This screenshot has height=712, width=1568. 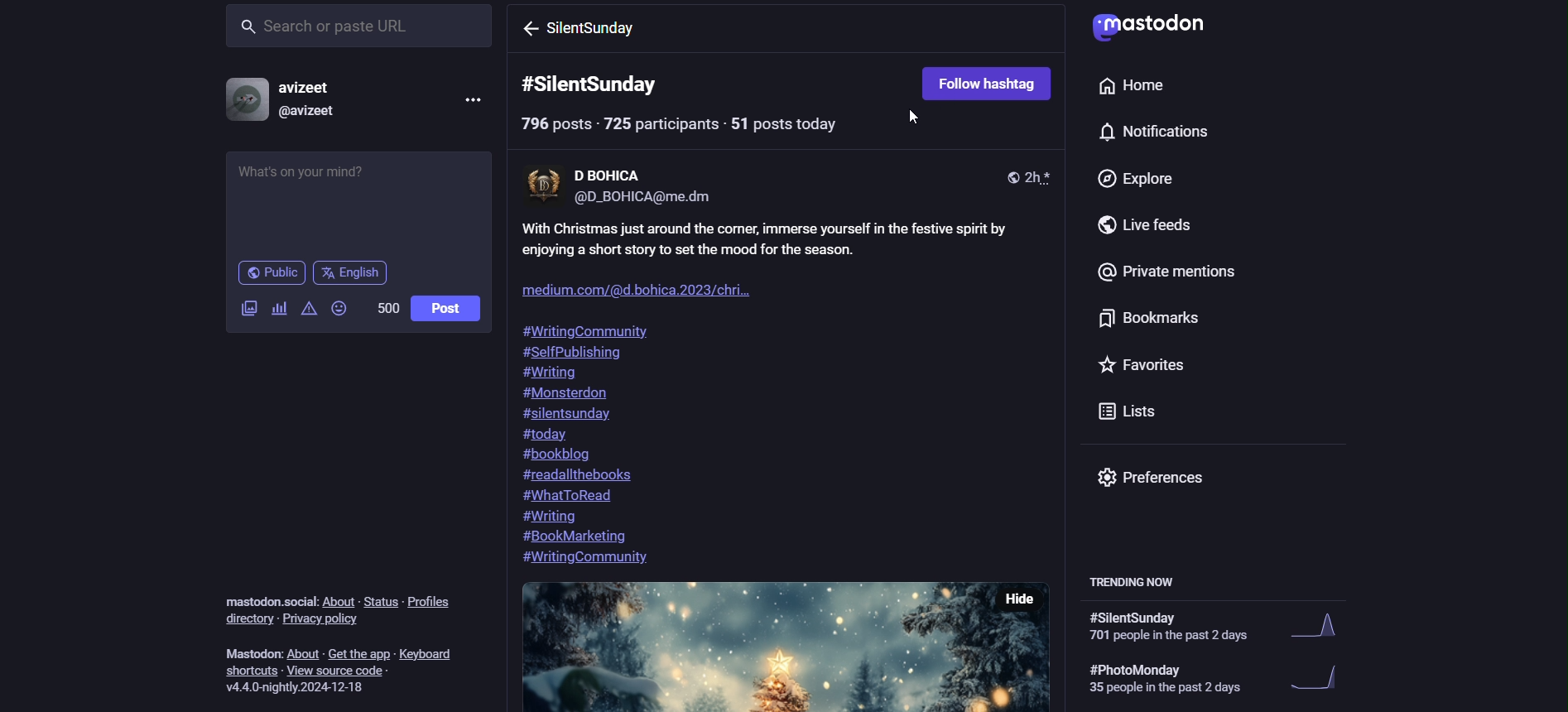 What do you see at coordinates (280, 307) in the screenshot?
I see `add poll` at bounding box center [280, 307].